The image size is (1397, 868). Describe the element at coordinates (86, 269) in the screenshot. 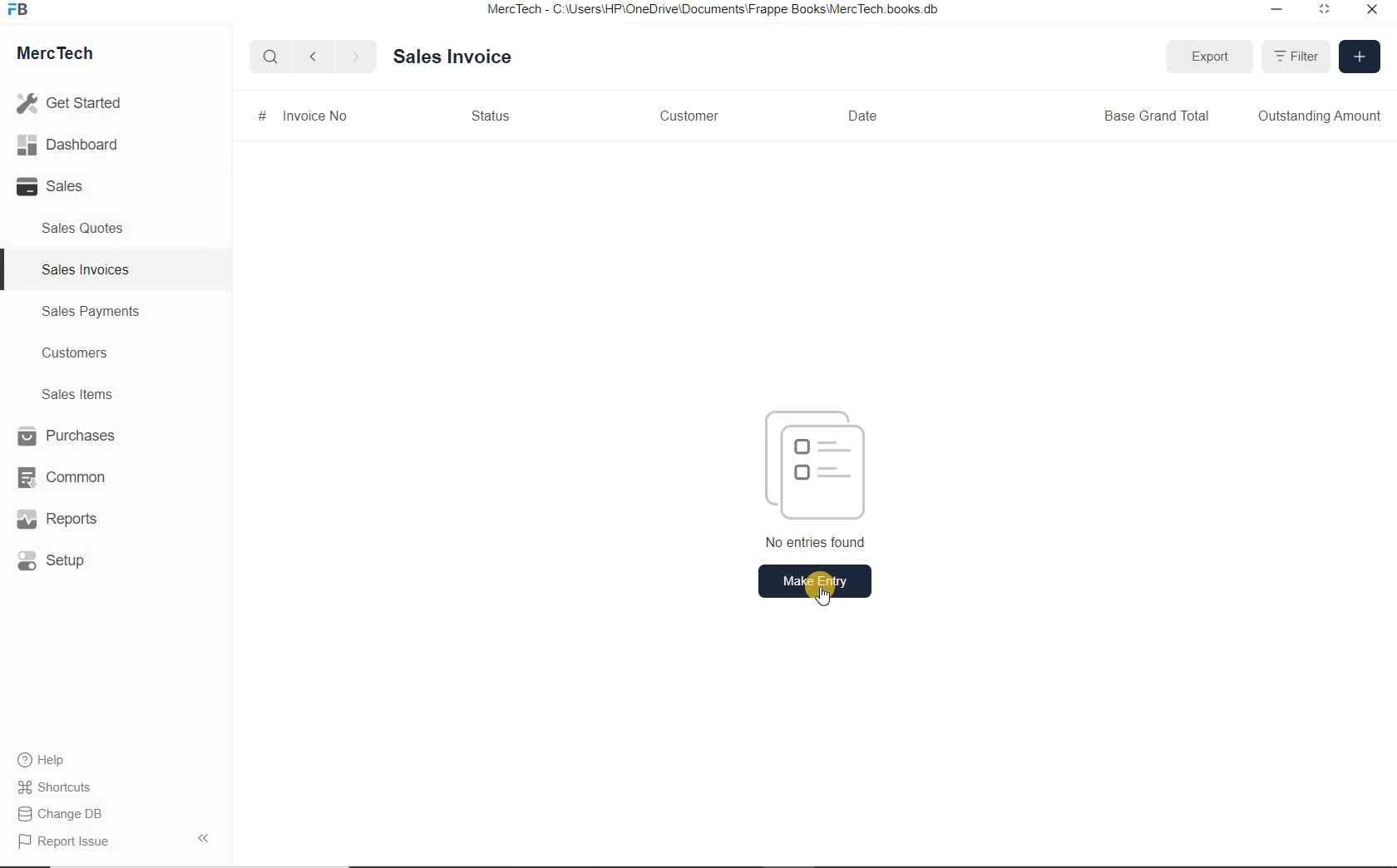

I see `Sales Invoices` at that location.